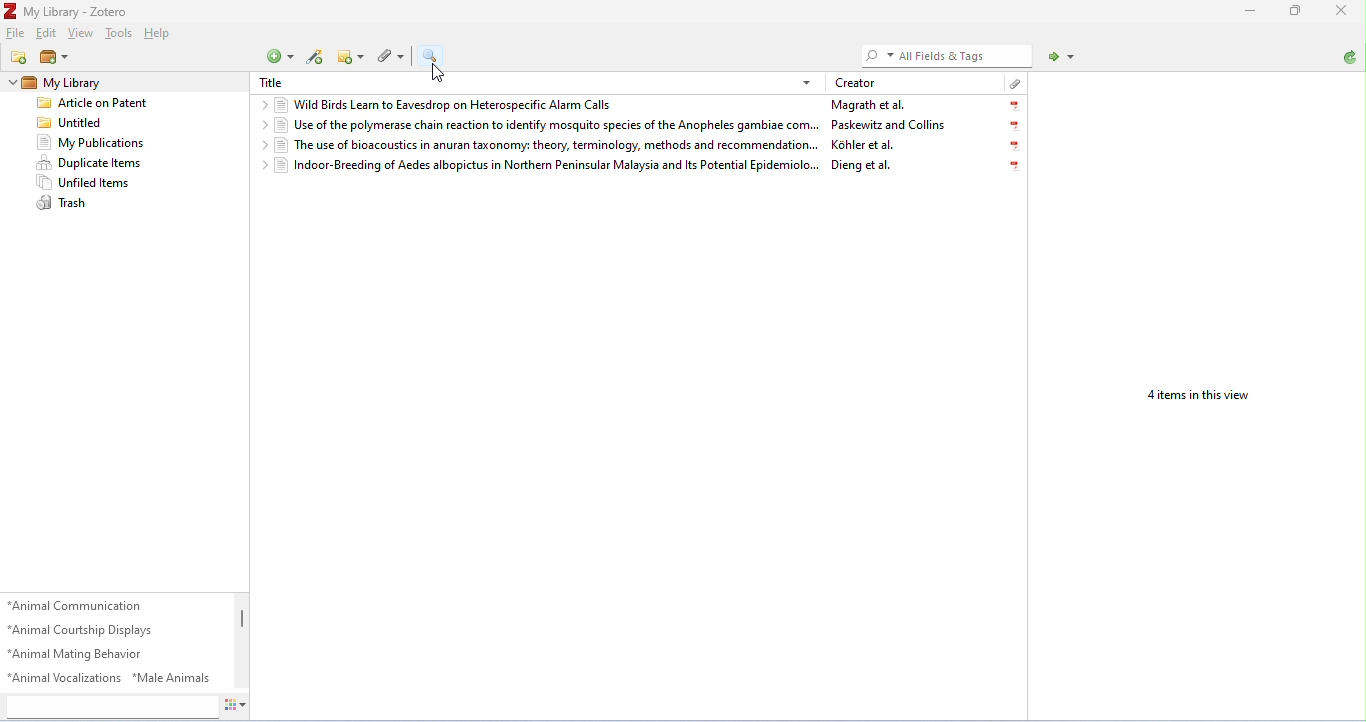 The width and height of the screenshot is (1366, 722). Describe the element at coordinates (1016, 147) in the screenshot. I see `pdf icon` at that location.